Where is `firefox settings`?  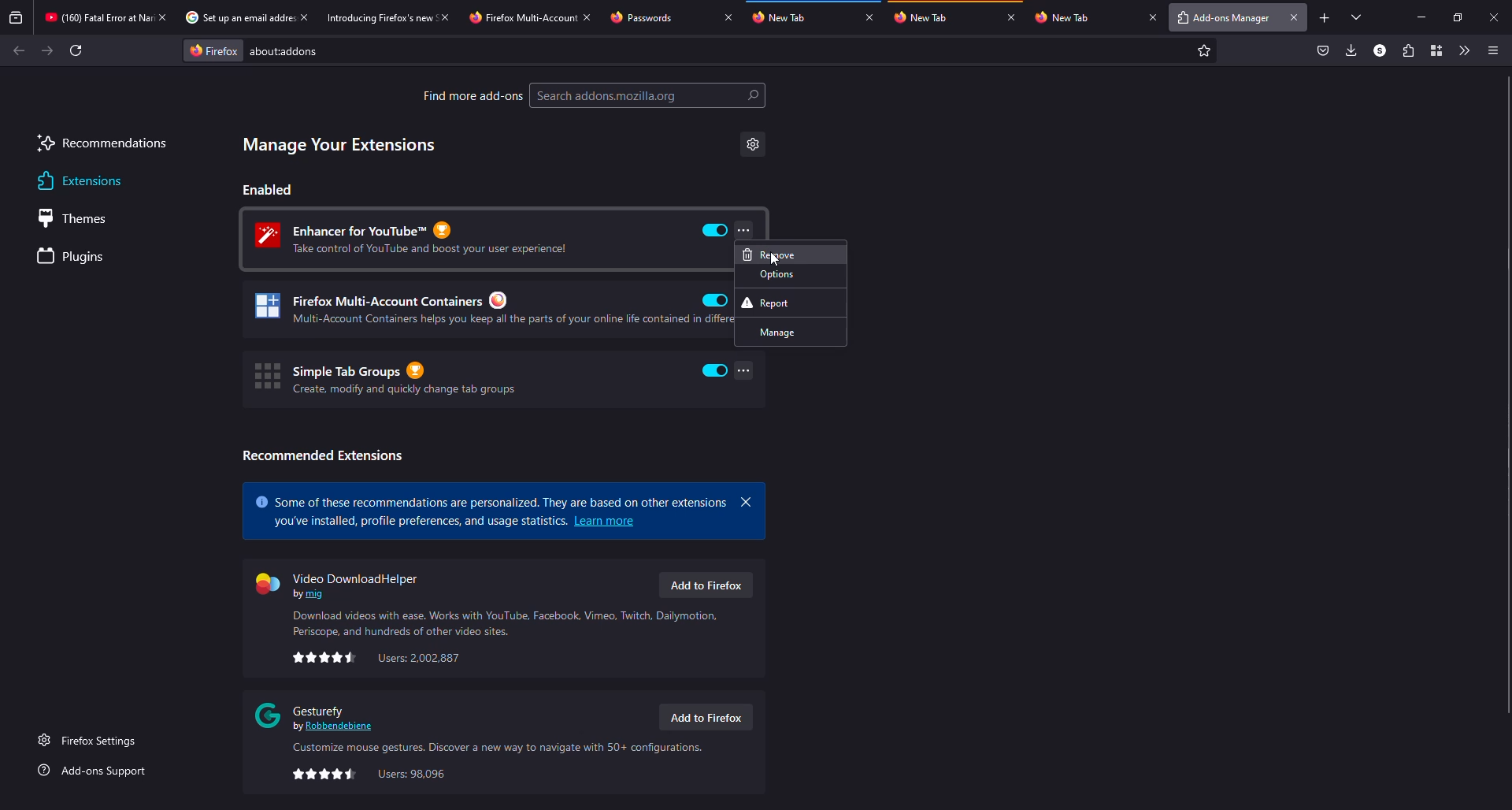 firefox settings is located at coordinates (91, 740).